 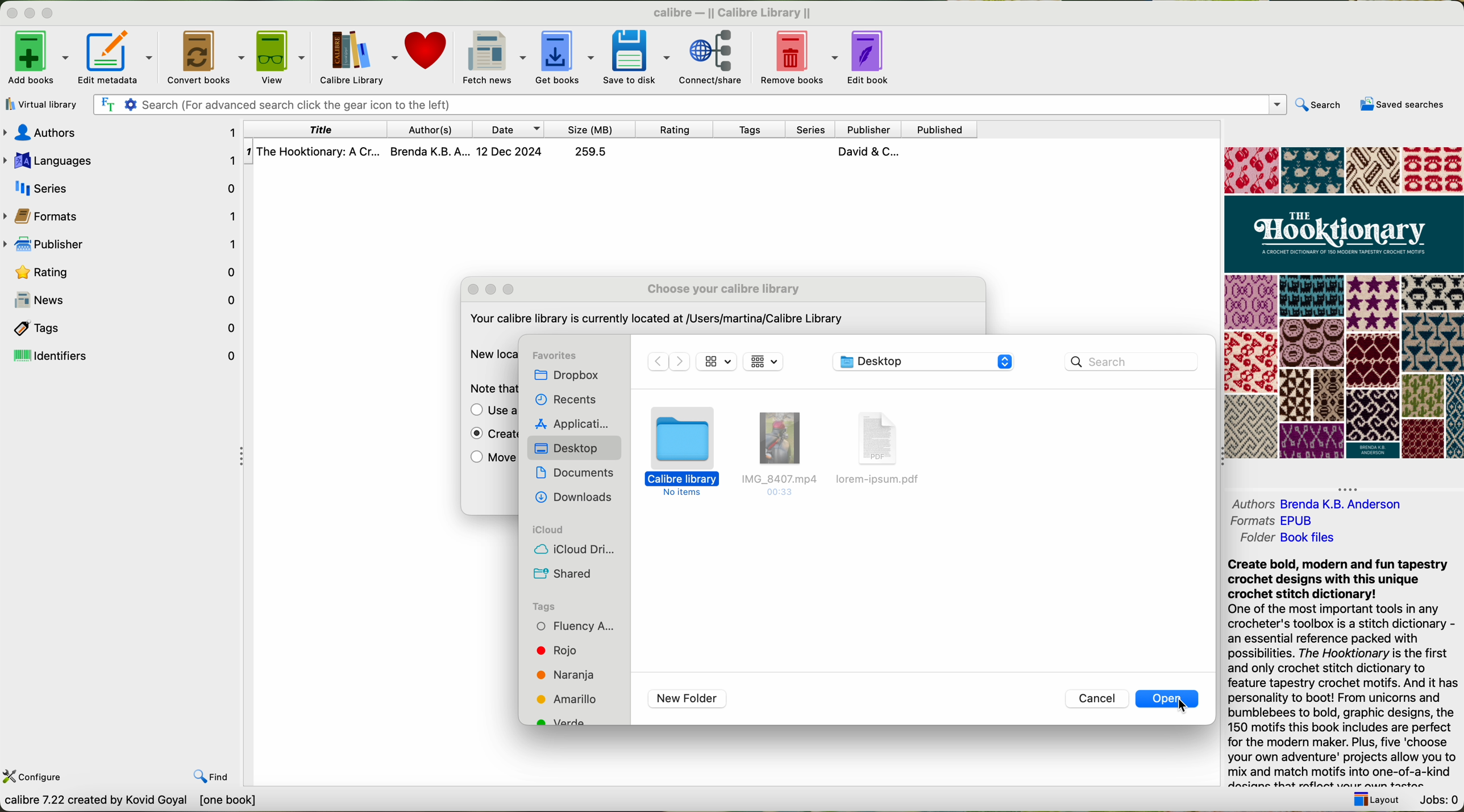 What do you see at coordinates (36, 58) in the screenshot?
I see `add books` at bounding box center [36, 58].